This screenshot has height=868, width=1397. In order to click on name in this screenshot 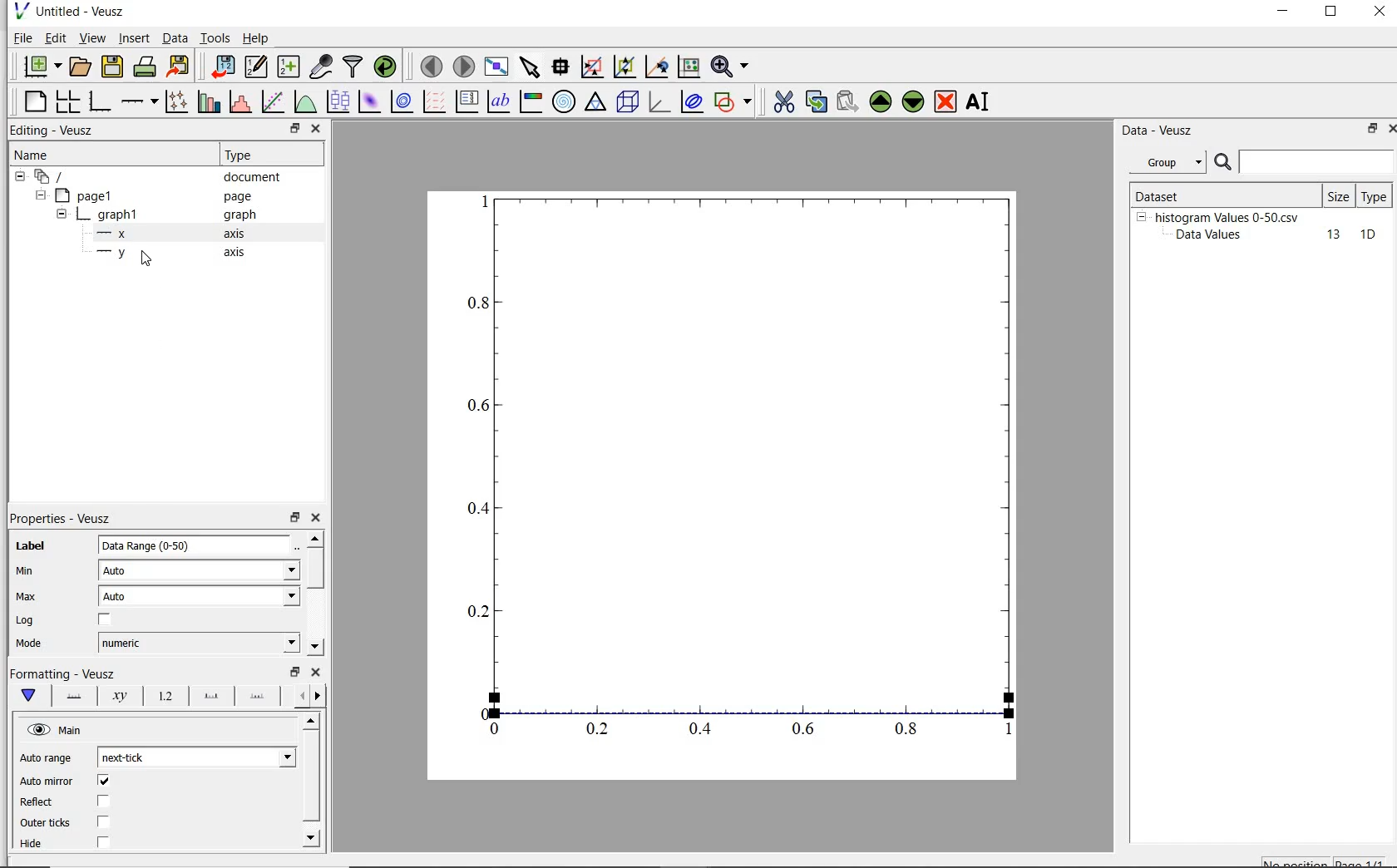, I will do `click(30, 155)`.